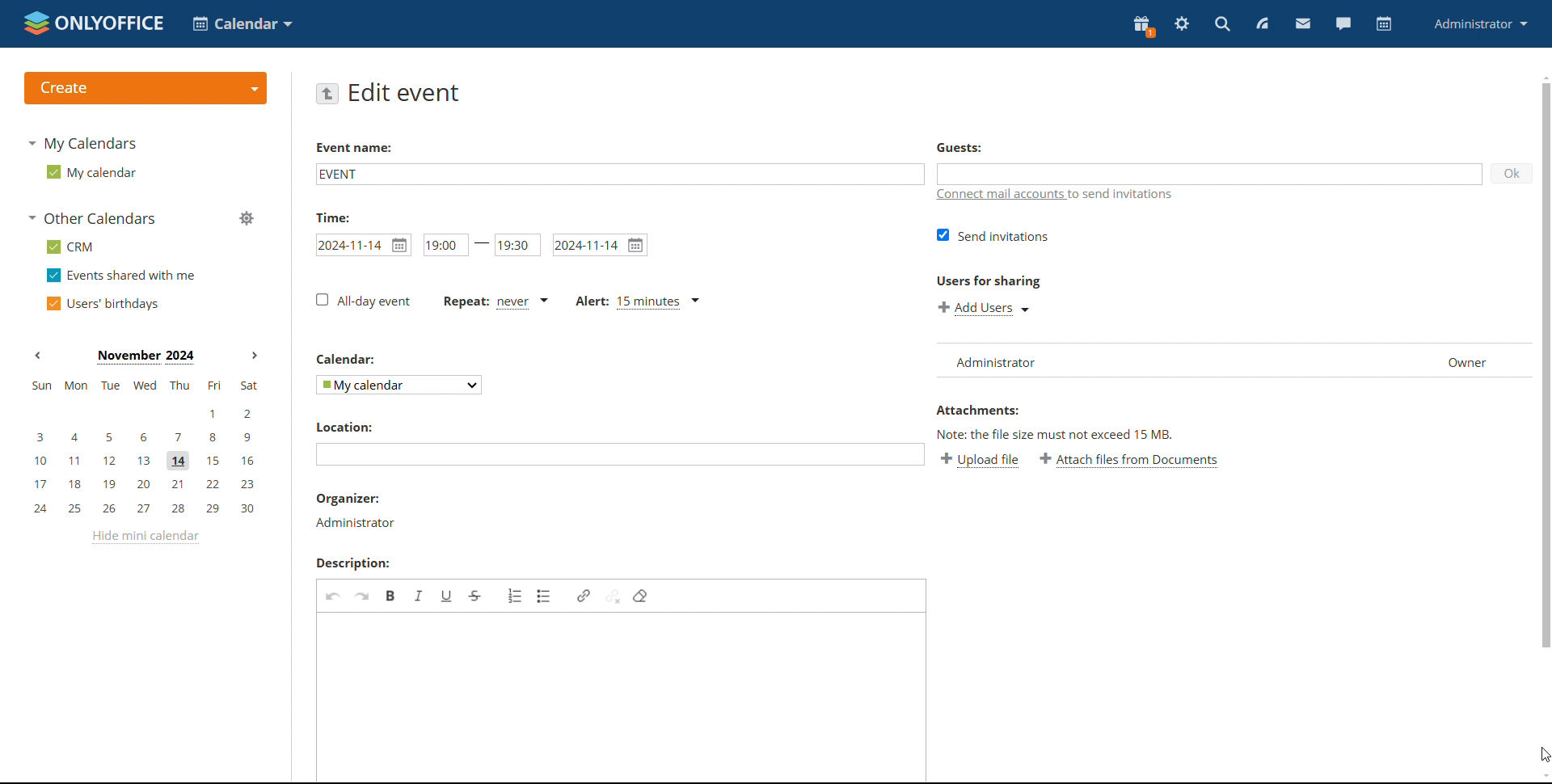 This screenshot has width=1552, height=784. I want to click on list of users, so click(1227, 360).